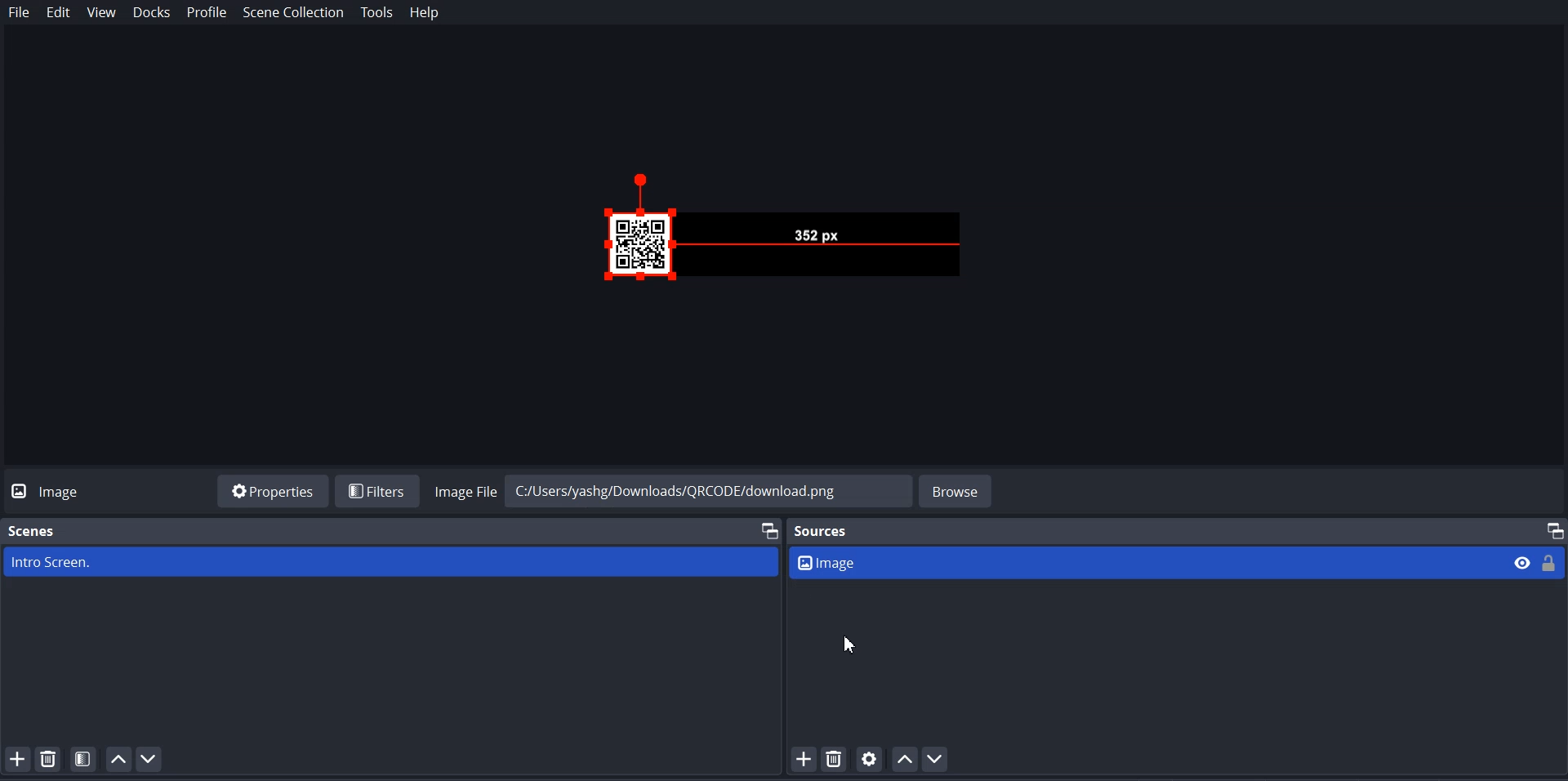  What do you see at coordinates (1555, 529) in the screenshot?
I see `Maximize` at bounding box center [1555, 529].